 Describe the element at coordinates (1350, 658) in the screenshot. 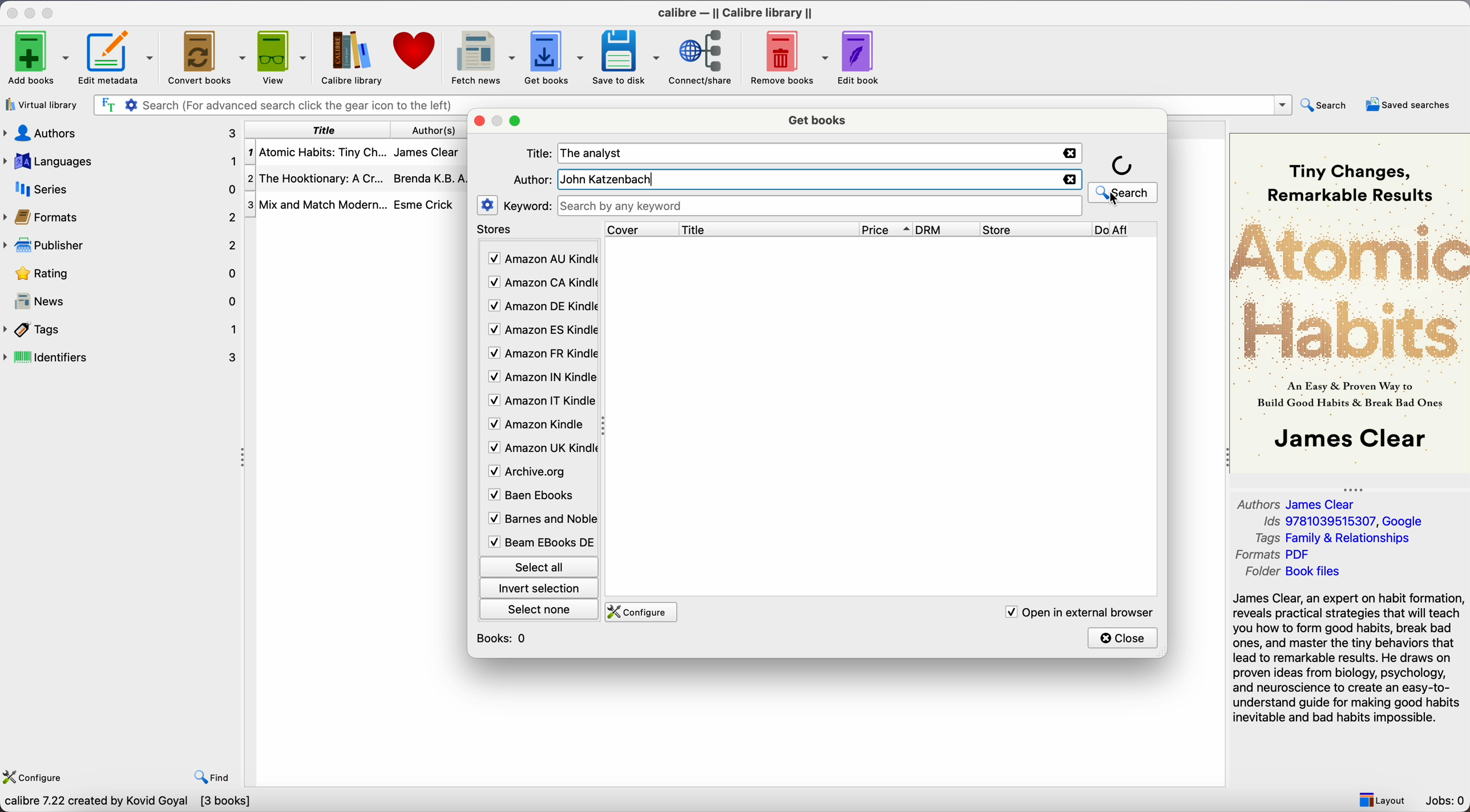

I see `synopsis` at that location.